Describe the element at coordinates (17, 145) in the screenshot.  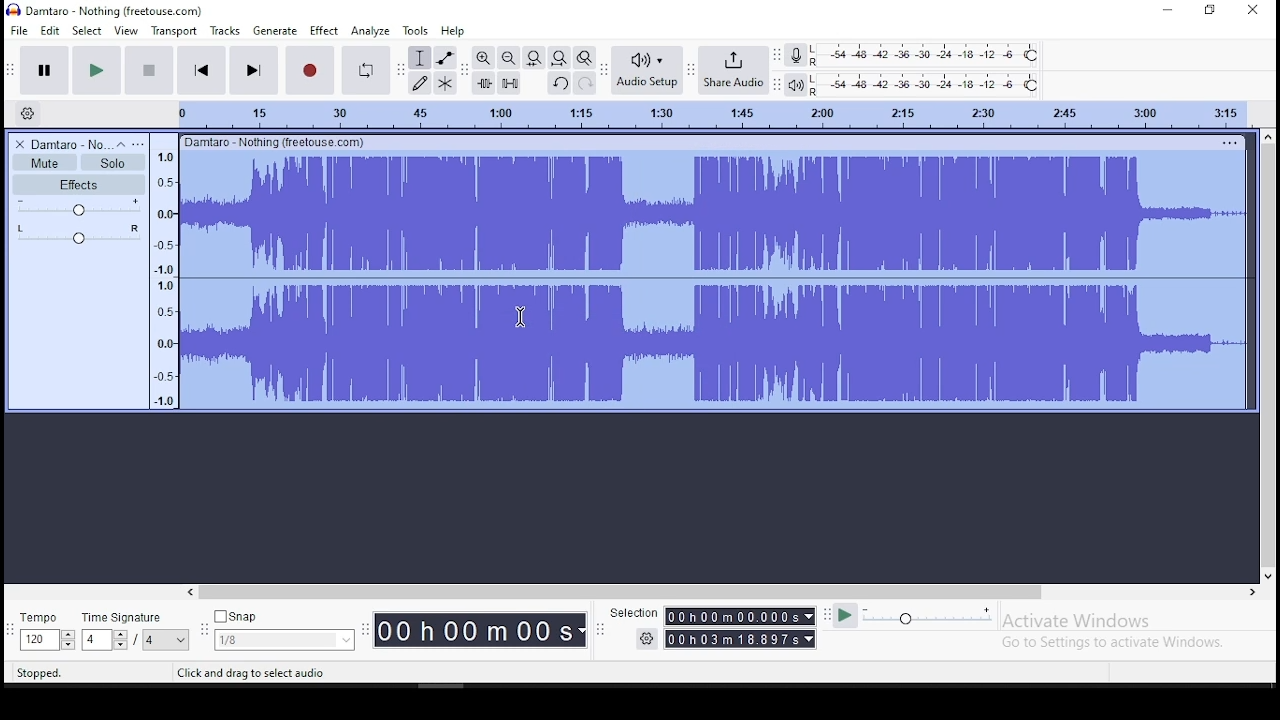
I see `delete track` at that location.